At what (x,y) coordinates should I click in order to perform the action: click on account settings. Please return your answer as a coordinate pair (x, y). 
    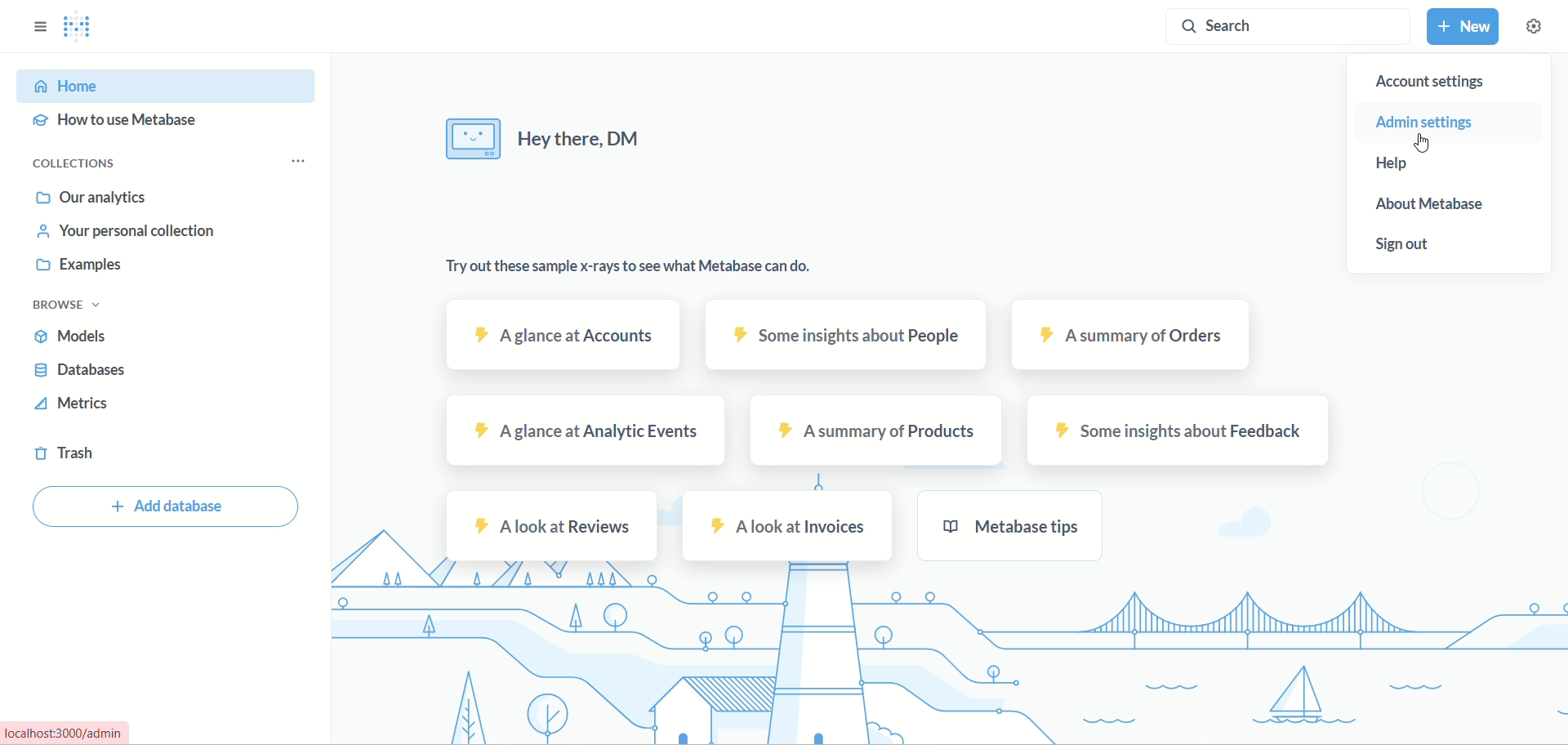
    Looking at the image, I should click on (1432, 83).